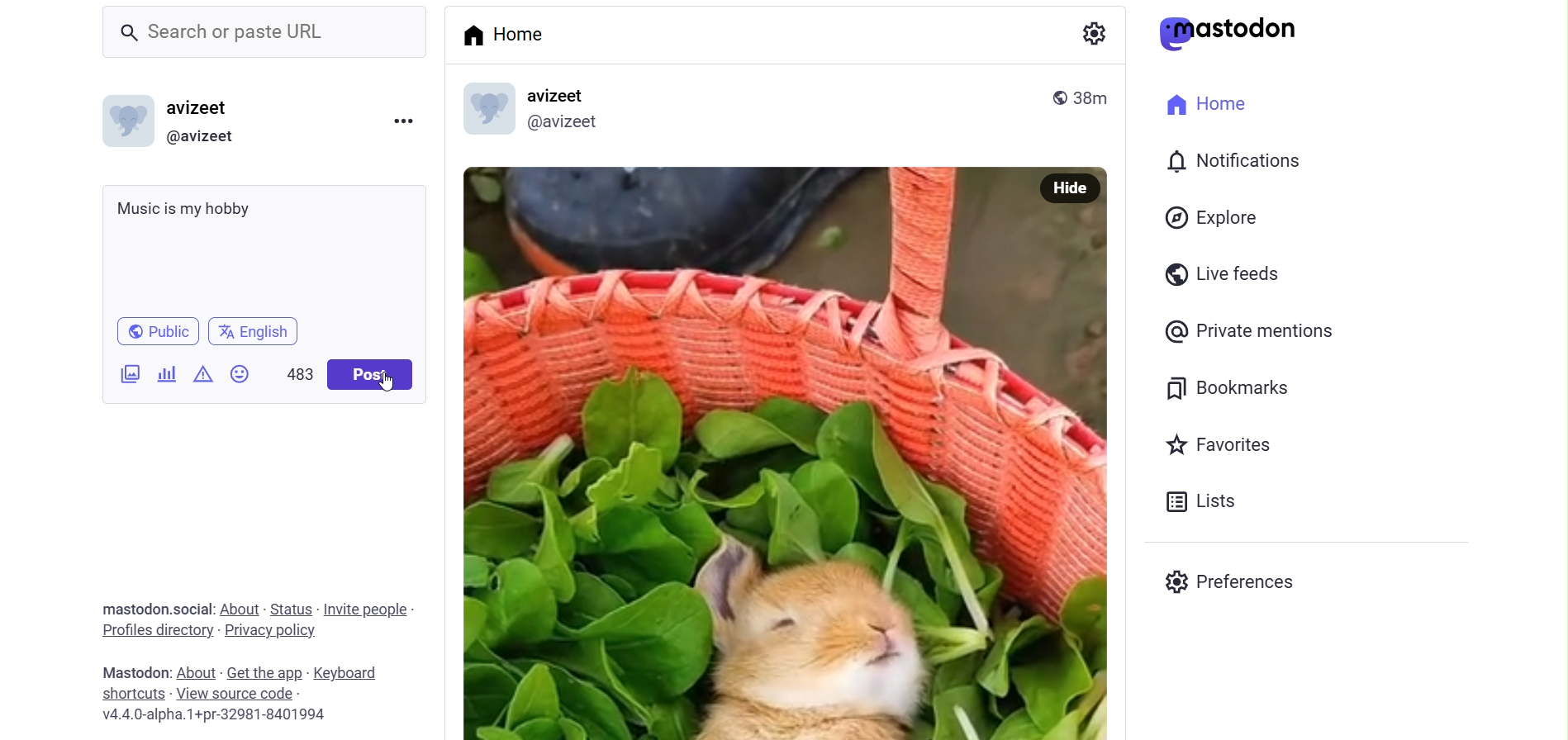 The image size is (1568, 740). Describe the element at coordinates (130, 372) in the screenshot. I see `Add Image` at that location.